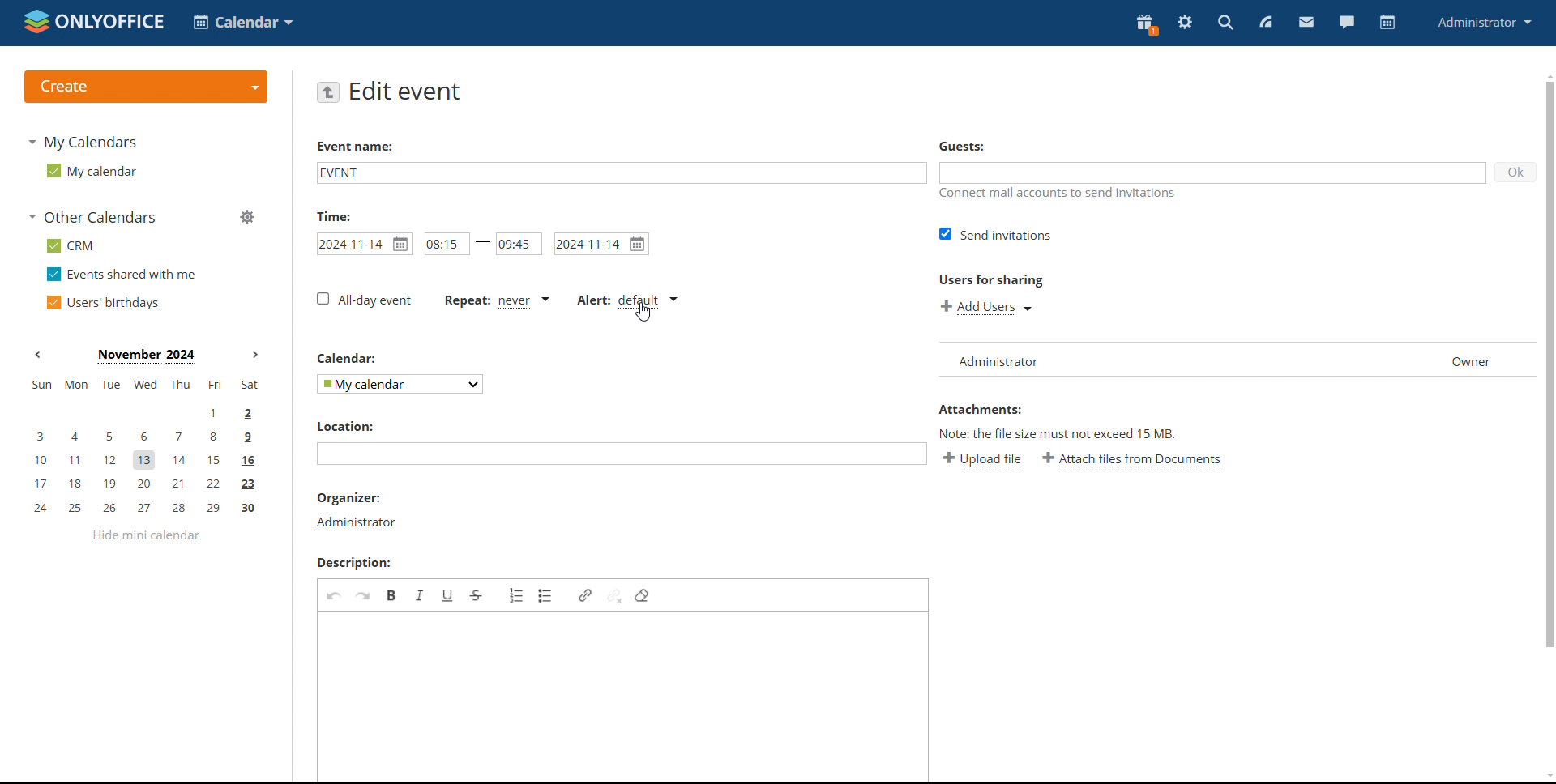 The width and height of the screenshot is (1556, 784). What do you see at coordinates (1213, 173) in the screenshot?
I see `add guests` at bounding box center [1213, 173].